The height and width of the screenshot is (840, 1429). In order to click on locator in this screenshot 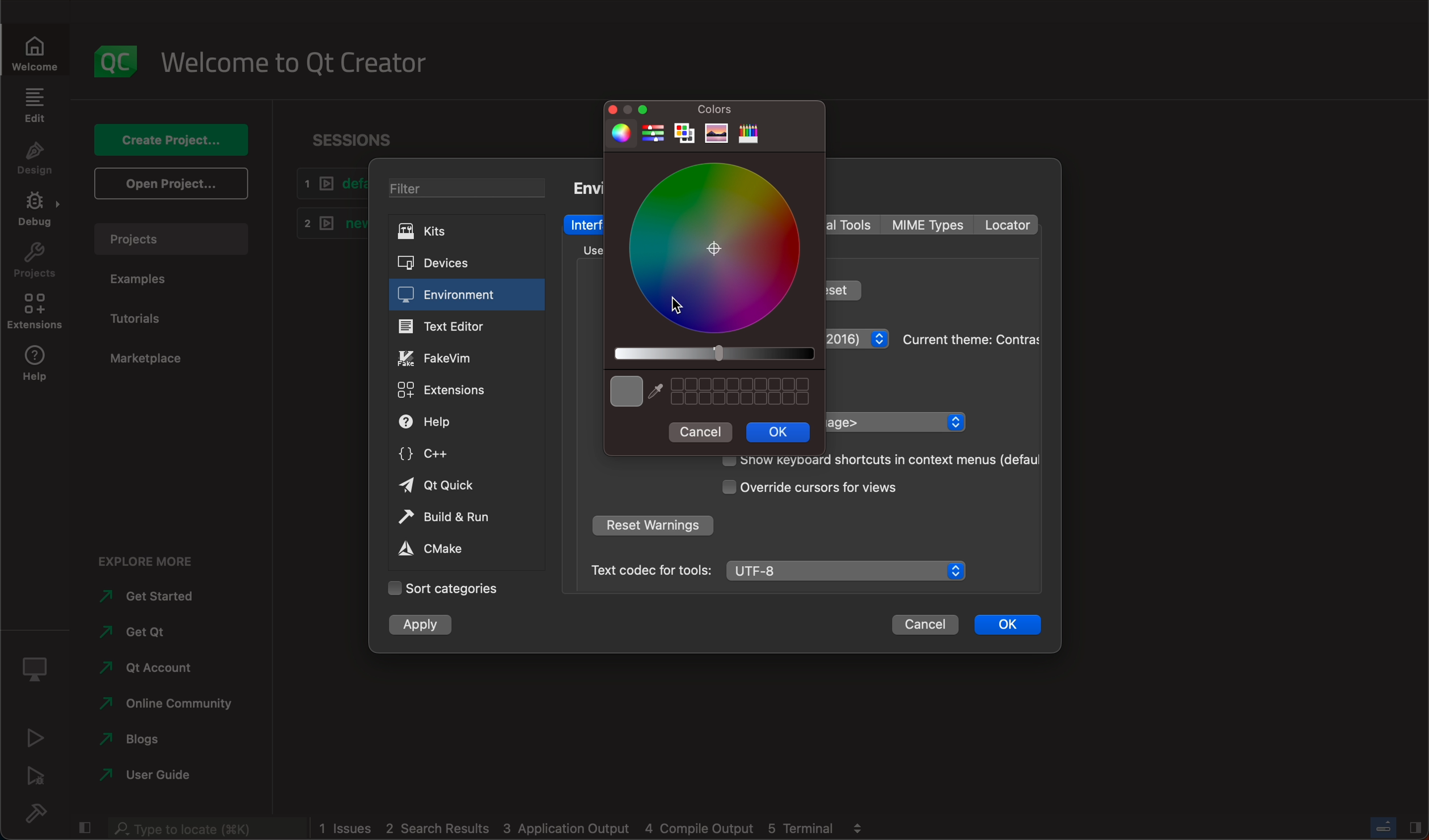, I will do `click(1006, 225)`.